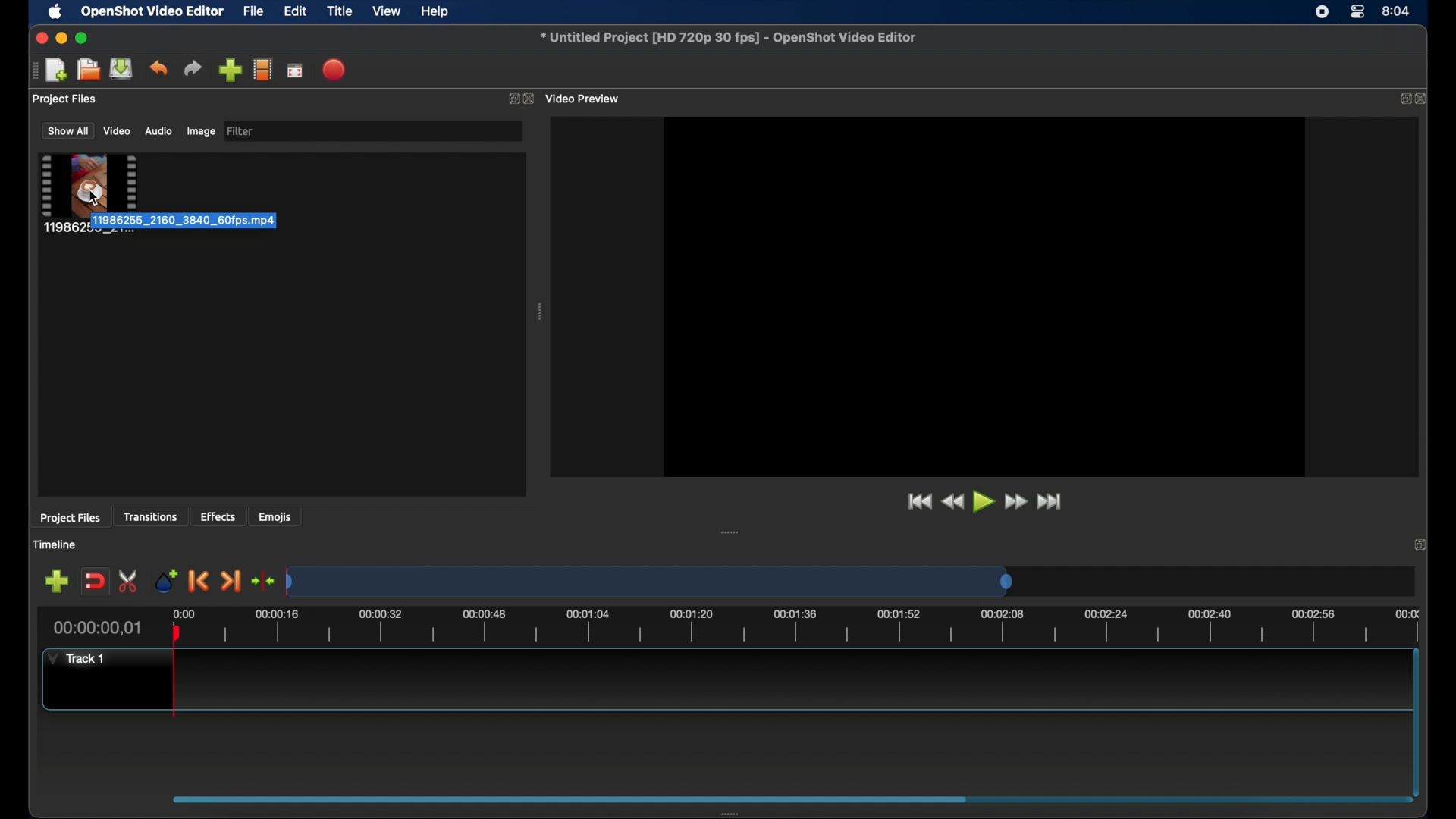 The height and width of the screenshot is (819, 1456). What do you see at coordinates (982, 501) in the screenshot?
I see `play ` at bounding box center [982, 501].